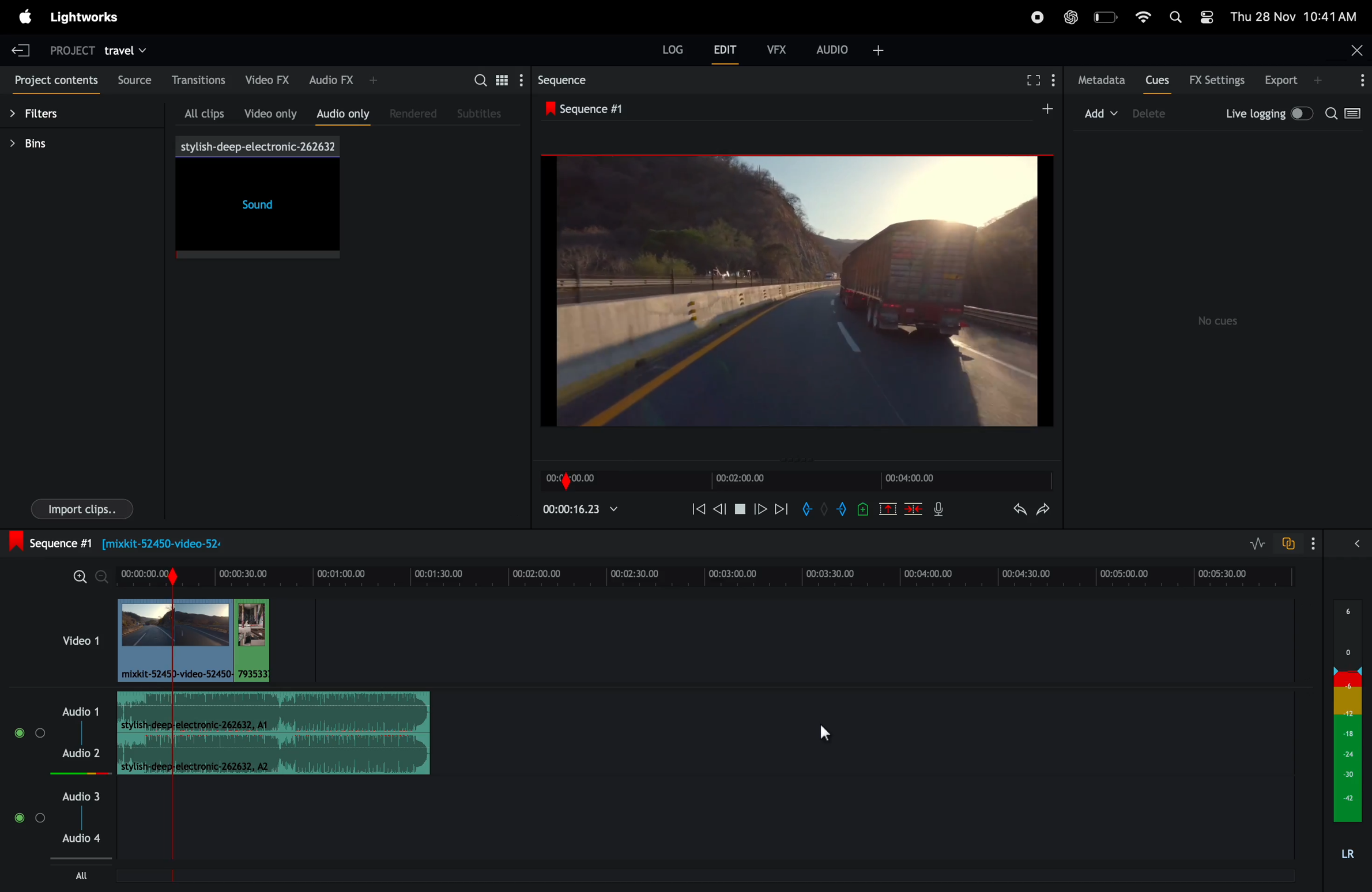 Image resolution: width=1372 pixels, height=892 pixels. I want to click on rendered, so click(411, 114).